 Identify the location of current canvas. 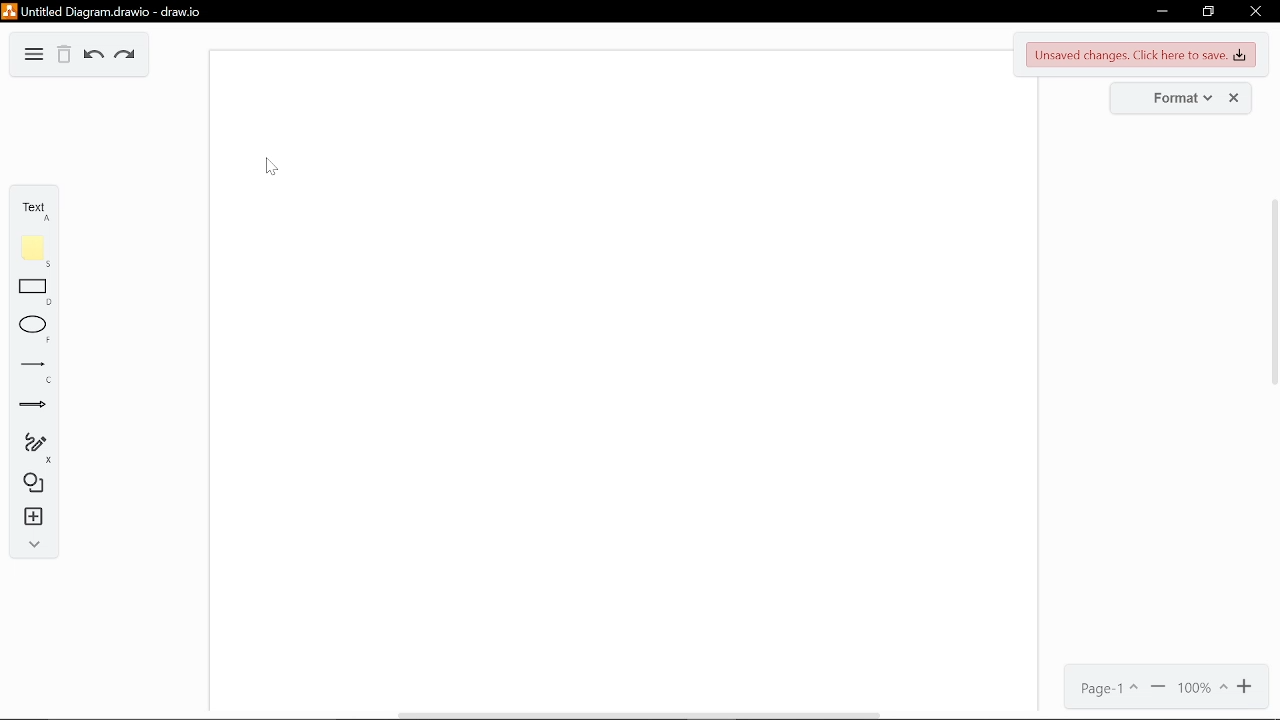
(610, 377).